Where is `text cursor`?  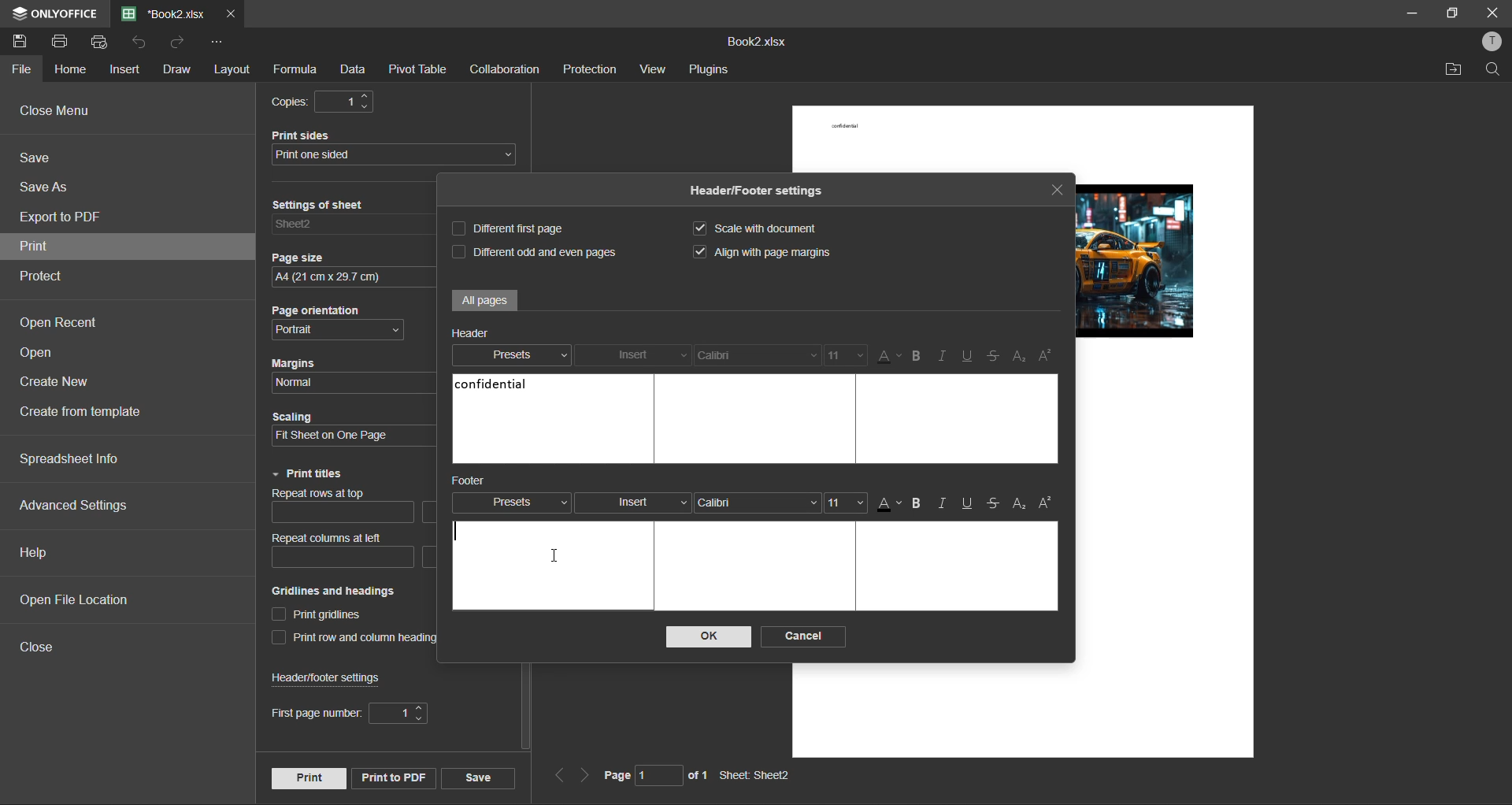
text cursor is located at coordinates (457, 532).